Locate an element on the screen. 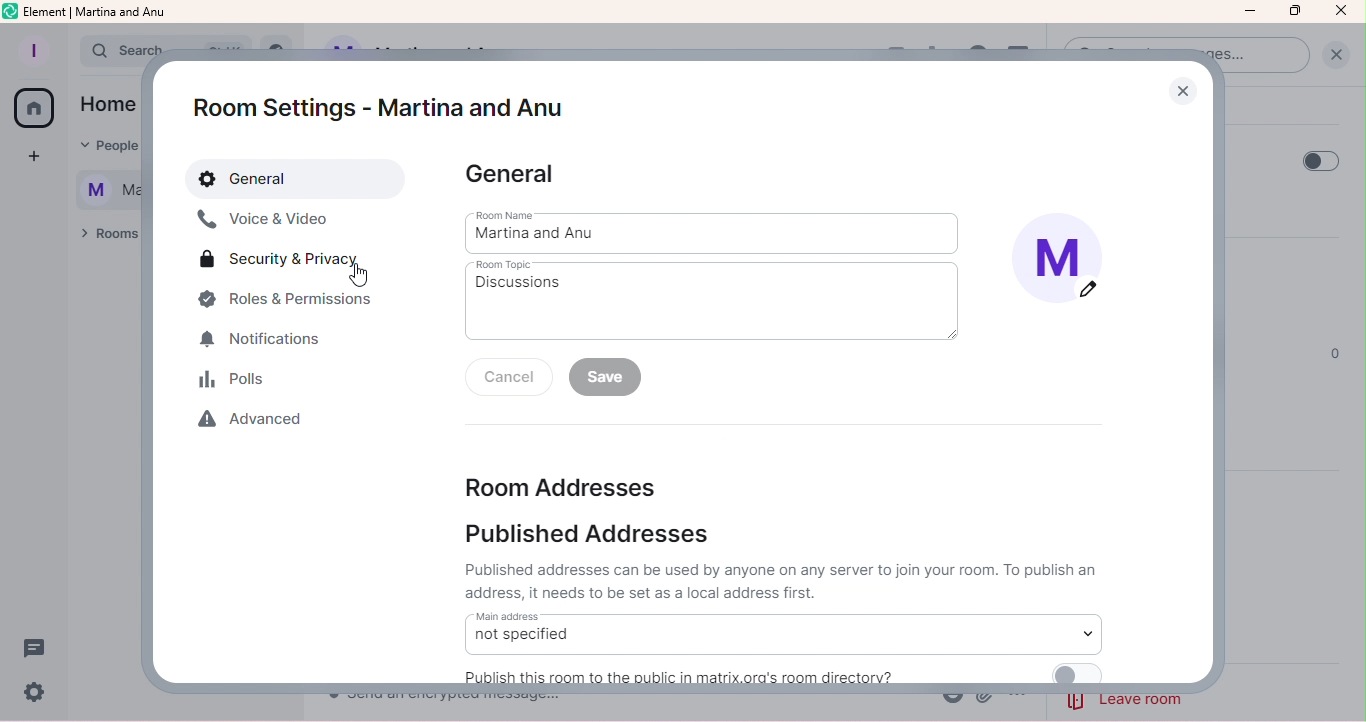 The height and width of the screenshot is (722, 1366). Room name is located at coordinates (710, 228).